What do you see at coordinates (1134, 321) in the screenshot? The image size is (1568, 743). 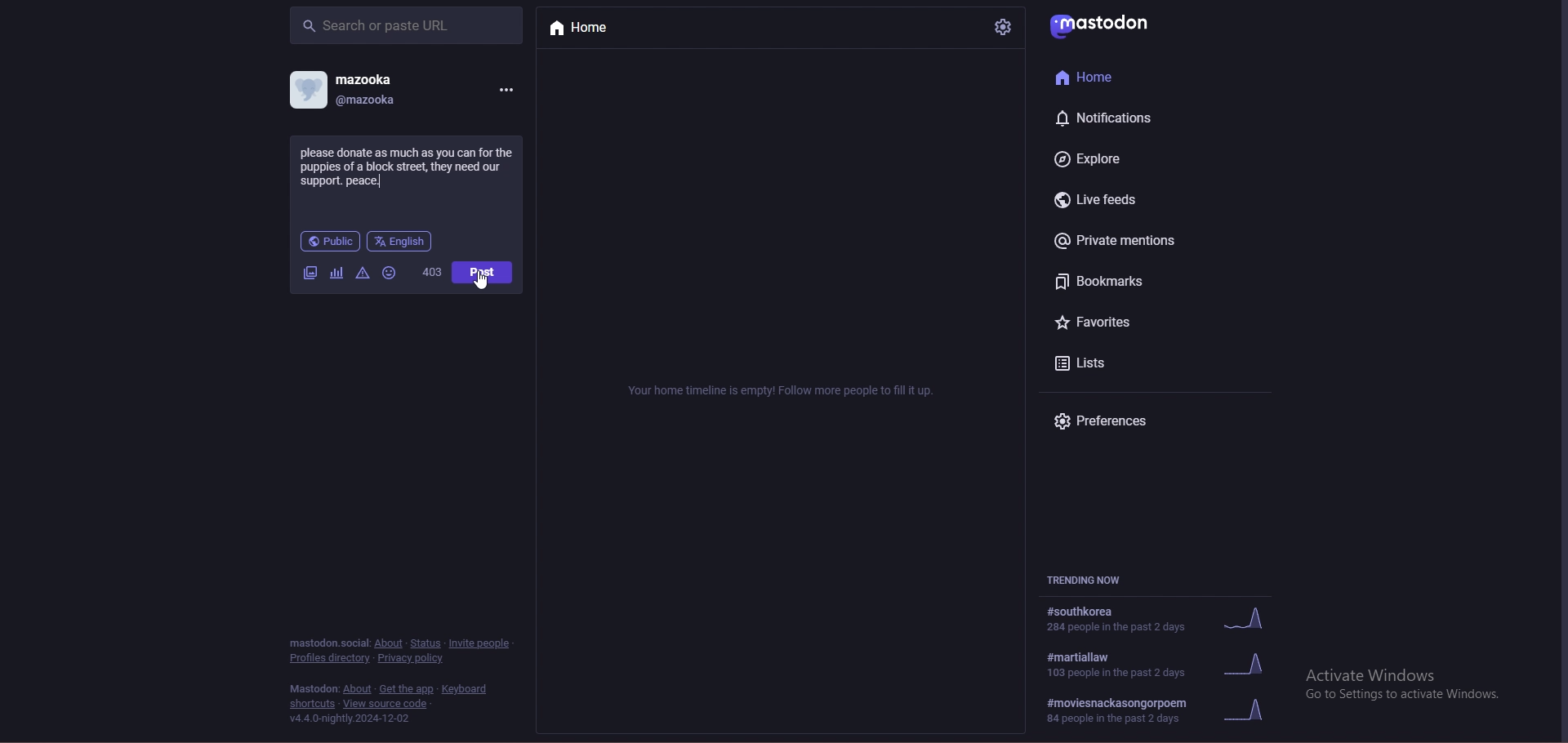 I see `favourites` at bounding box center [1134, 321].